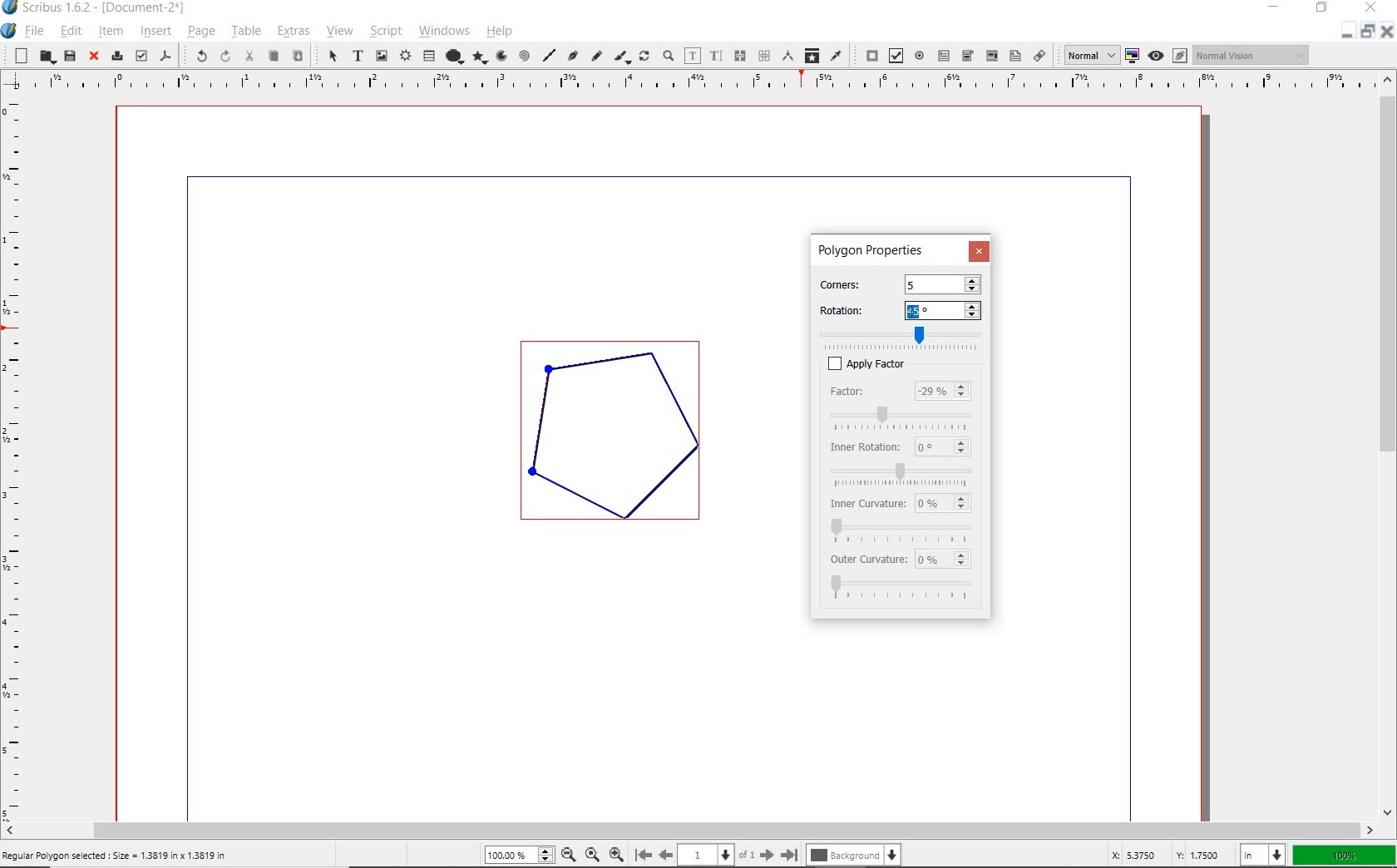 The image size is (1397, 868). What do you see at coordinates (945, 55) in the screenshot?
I see `pdf text field` at bounding box center [945, 55].